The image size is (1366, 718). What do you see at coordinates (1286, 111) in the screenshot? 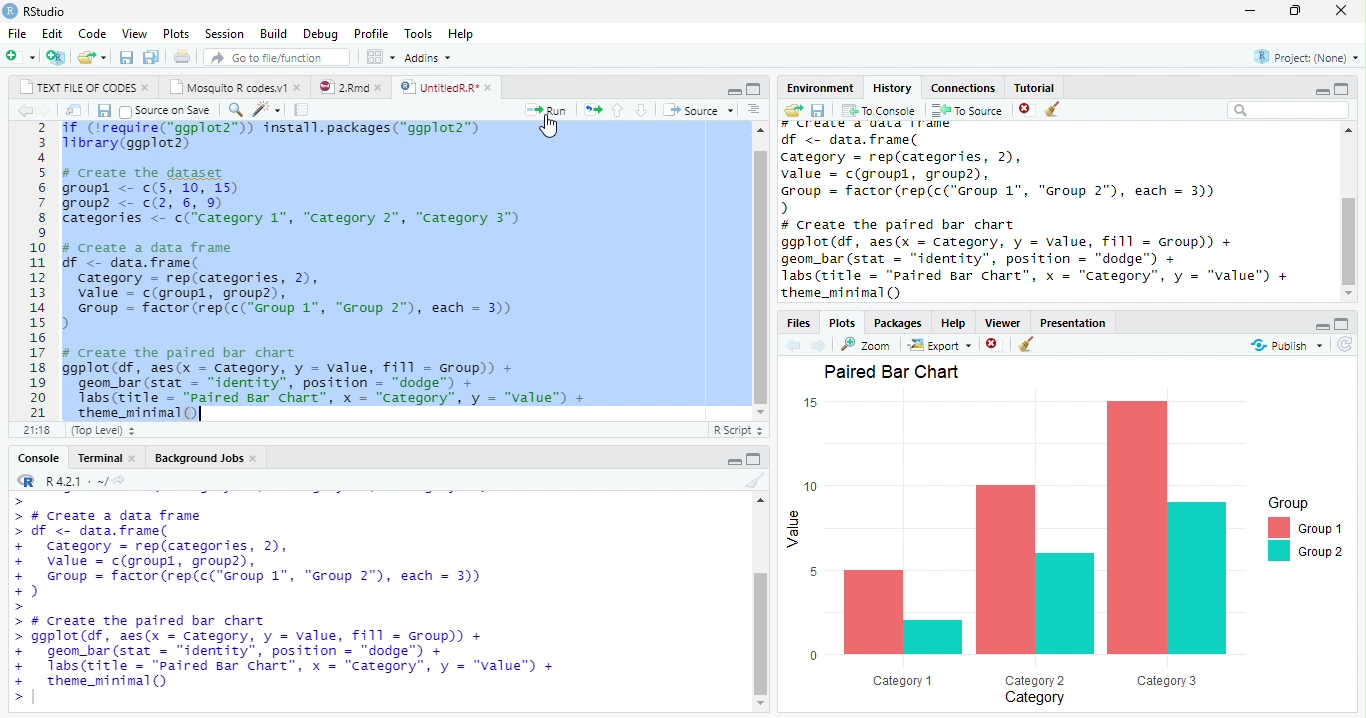
I see `search` at bounding box center [1286, 111].